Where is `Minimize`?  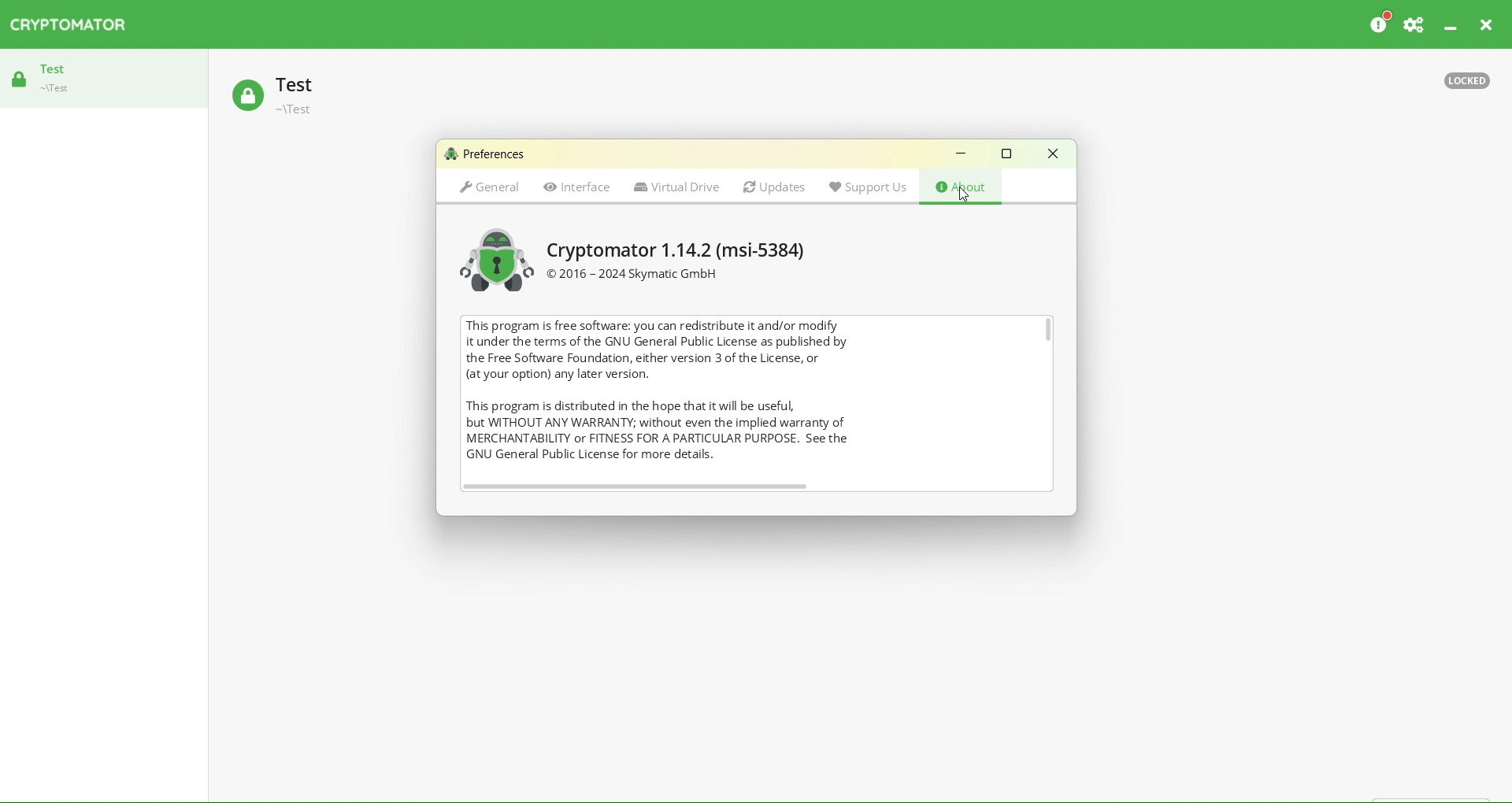
Minimize is located at coordinates (962, 155).